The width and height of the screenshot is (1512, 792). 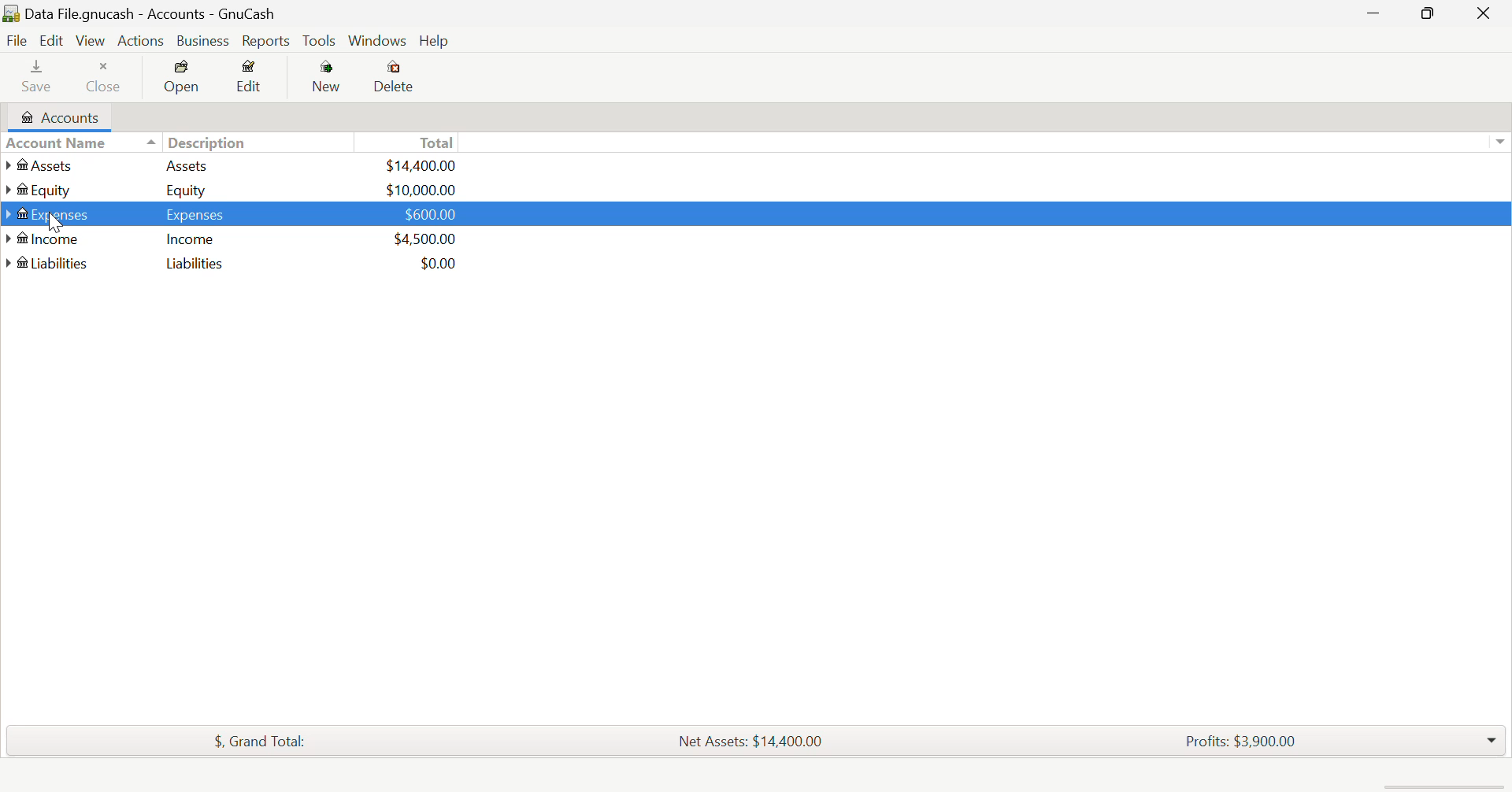 What do you see at coordinates (17, 41) in the screenshot?
I see `File` at bounding box center [17, 41].